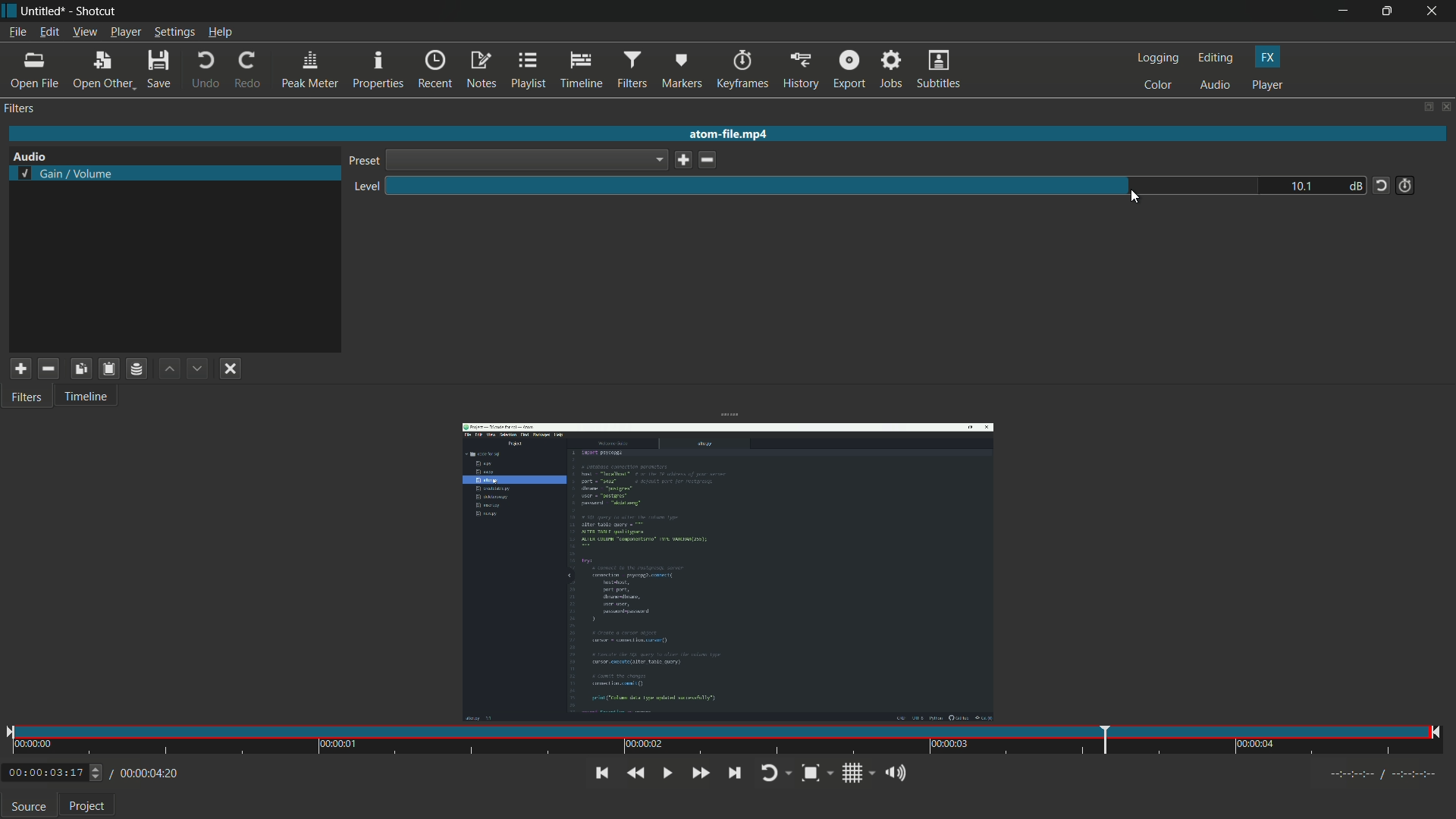 The width and height of the screenshot is (1456, 819). Describe the element at coordinates (601, 773) in the screenshot. I see `skip to the previous point` at that location.